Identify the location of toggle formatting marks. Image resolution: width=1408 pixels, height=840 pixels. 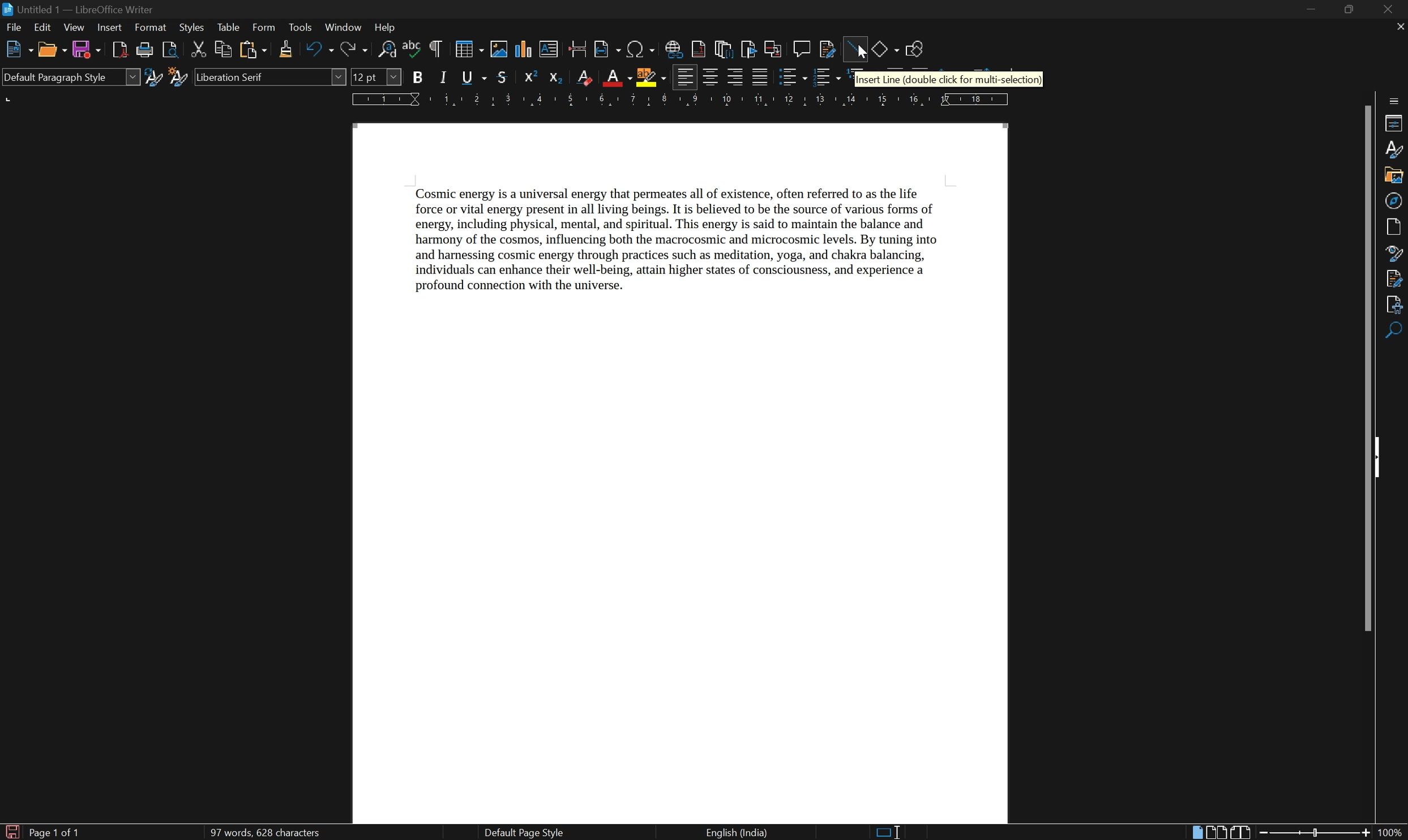
(436, 49).